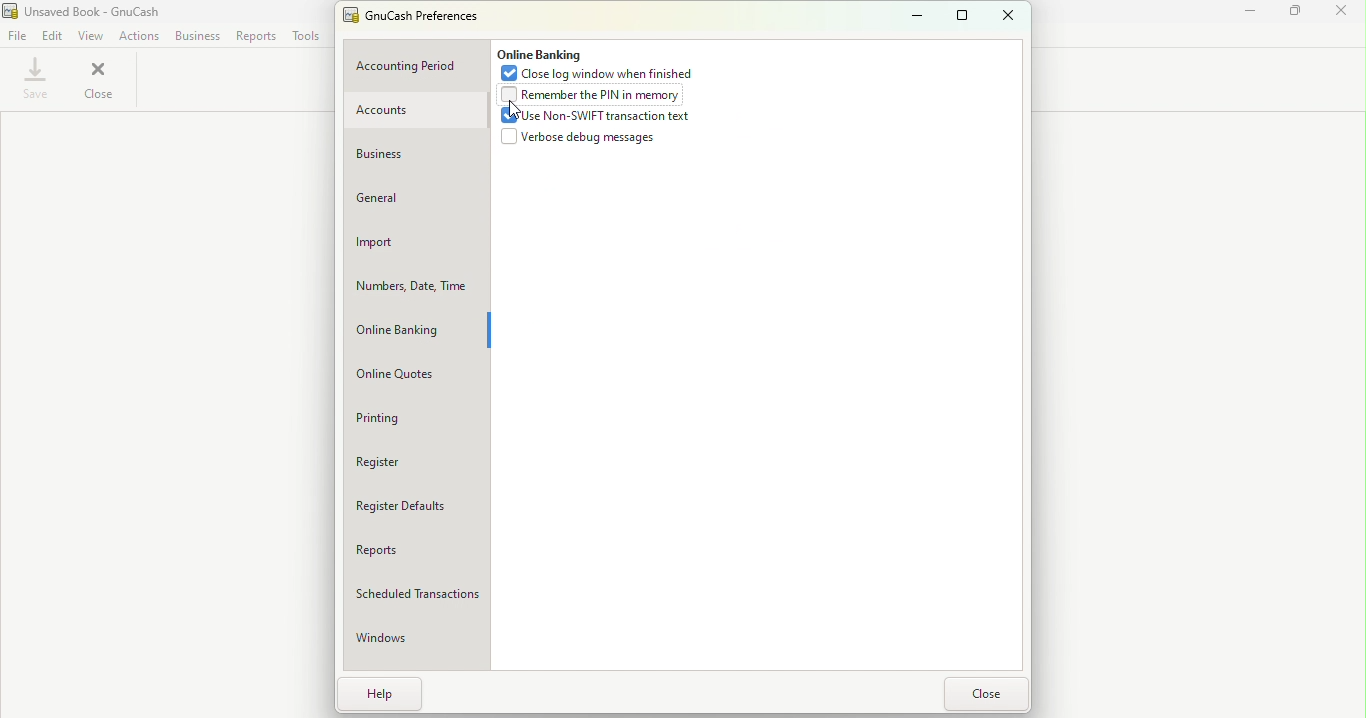 Image resolution: width=1366 pixels, height=718 pixels. What do you see at coordinates (1300, 16) in the screenshot?
I see `Maximize` at bounding box center [1300, 16].